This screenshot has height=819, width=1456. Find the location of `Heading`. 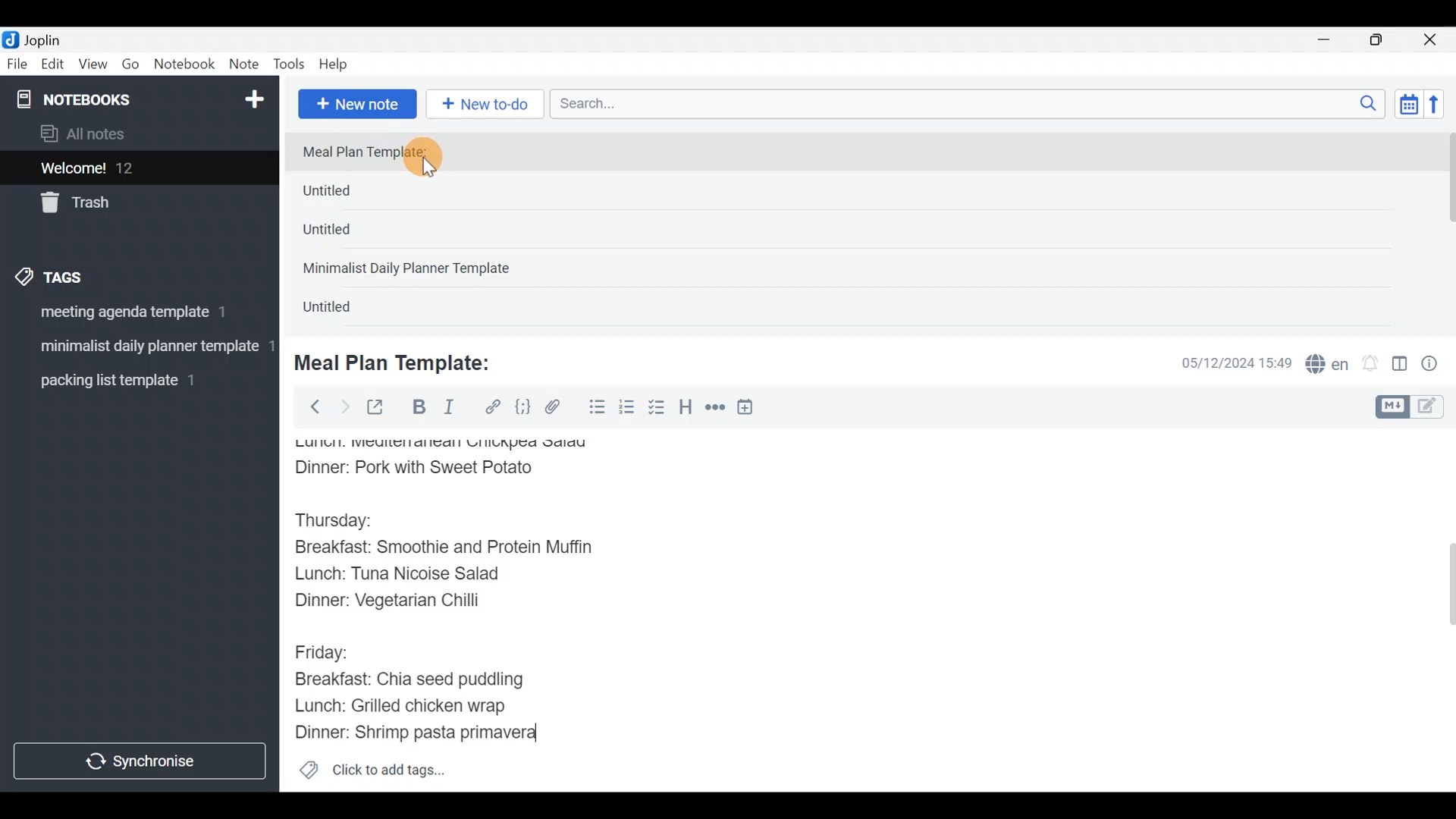

Heading is located at coordinates (686, 409).